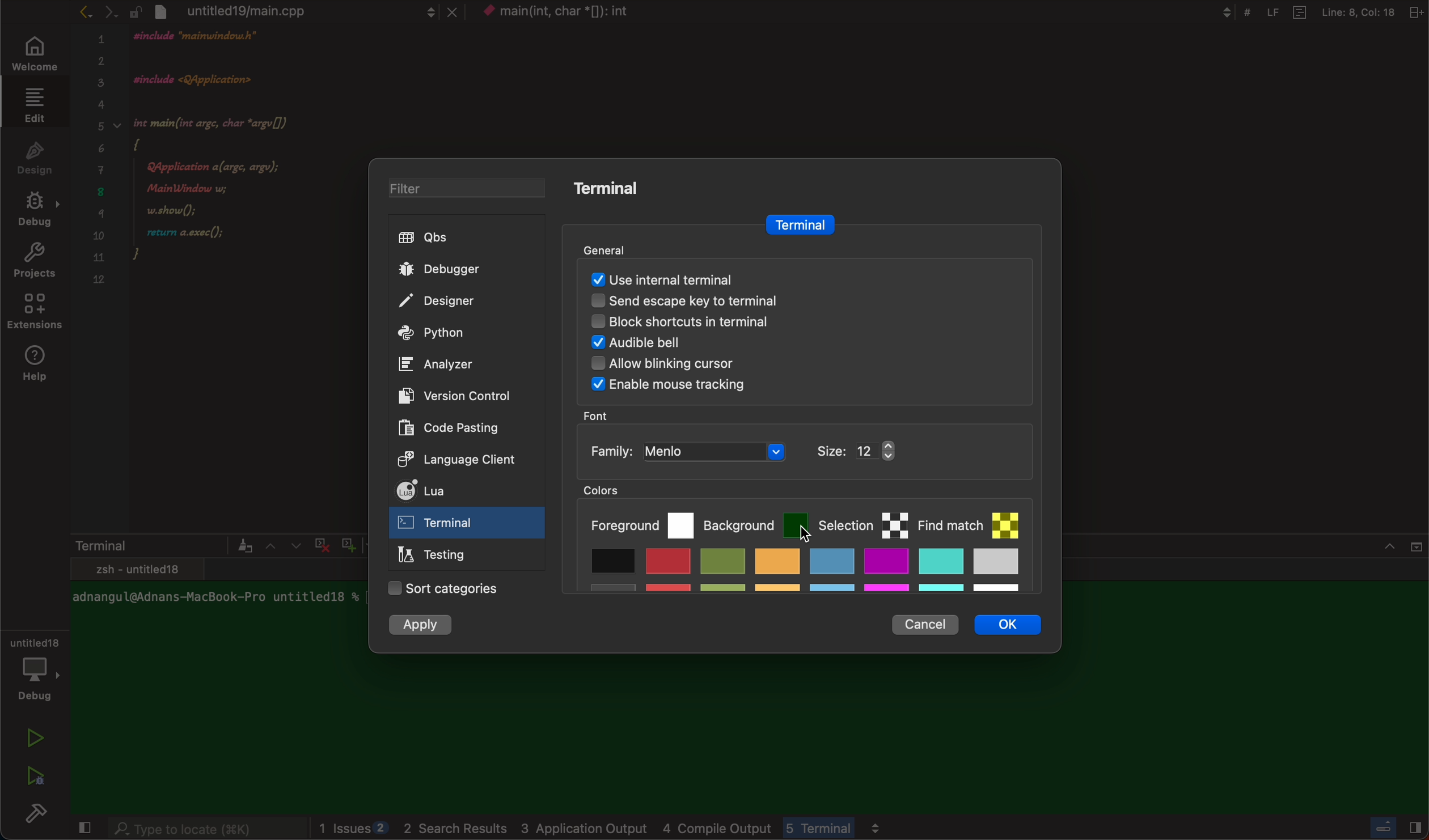 The height and width of the screenshot is (840, 1429). I want to click on color list, so click(803, 574).